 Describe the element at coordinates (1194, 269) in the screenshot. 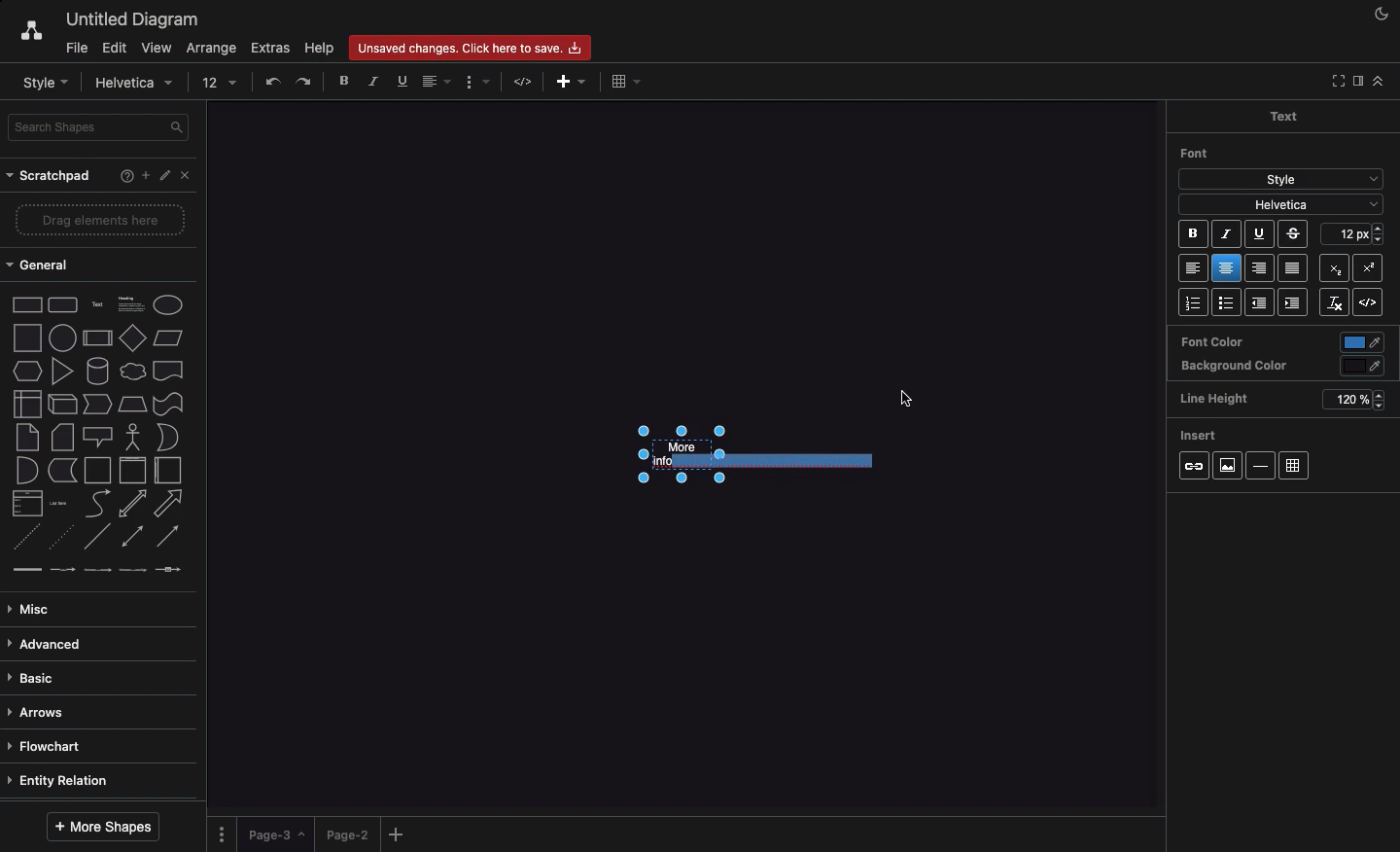

I see `Left aligned` at that location.